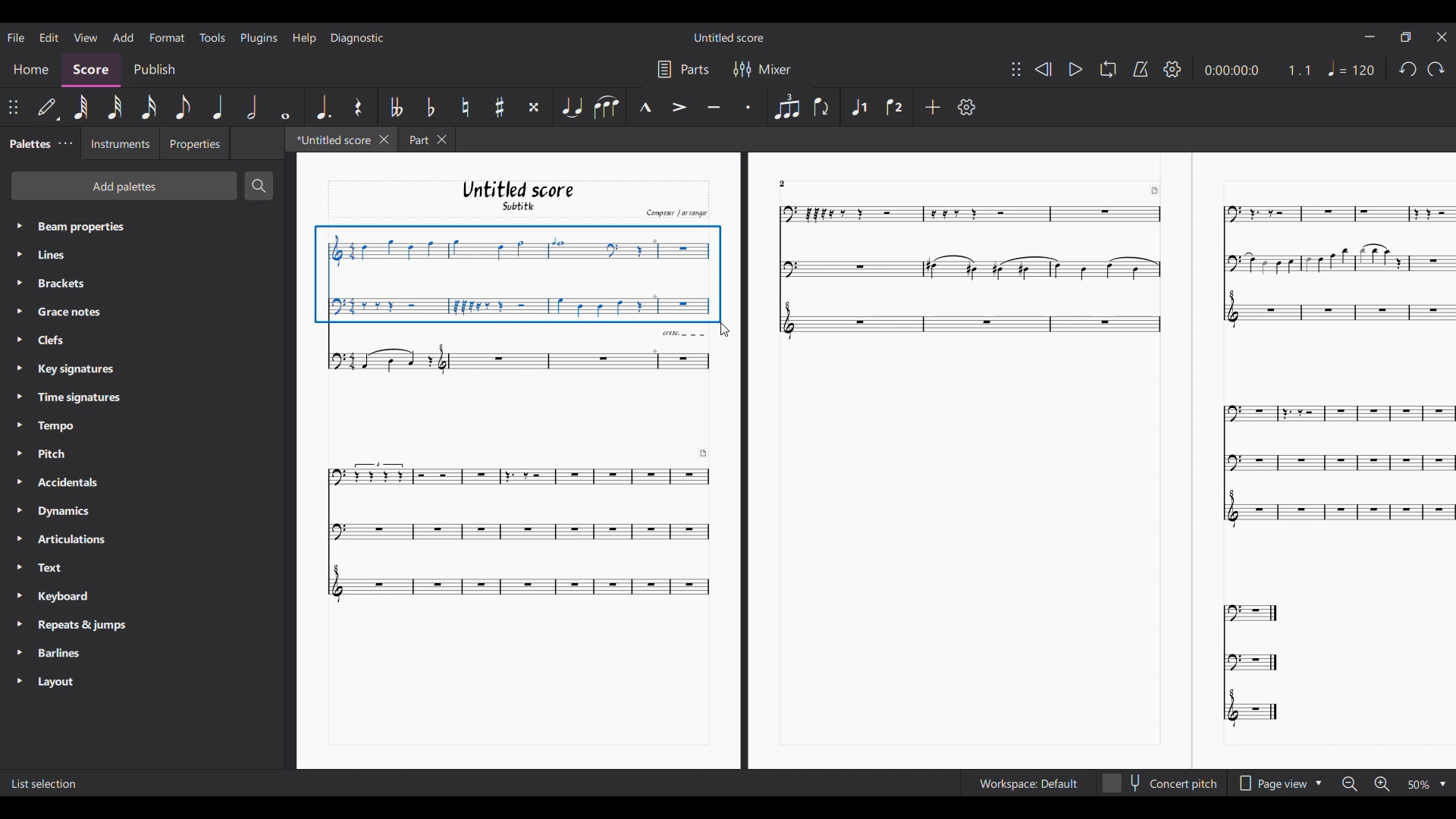 Image resolution: width=1456 pixels, height=819 pixels. What do you see at coordinates (1250, 661) in the screenshot?
I see `` at bounding box center [1250, 661].